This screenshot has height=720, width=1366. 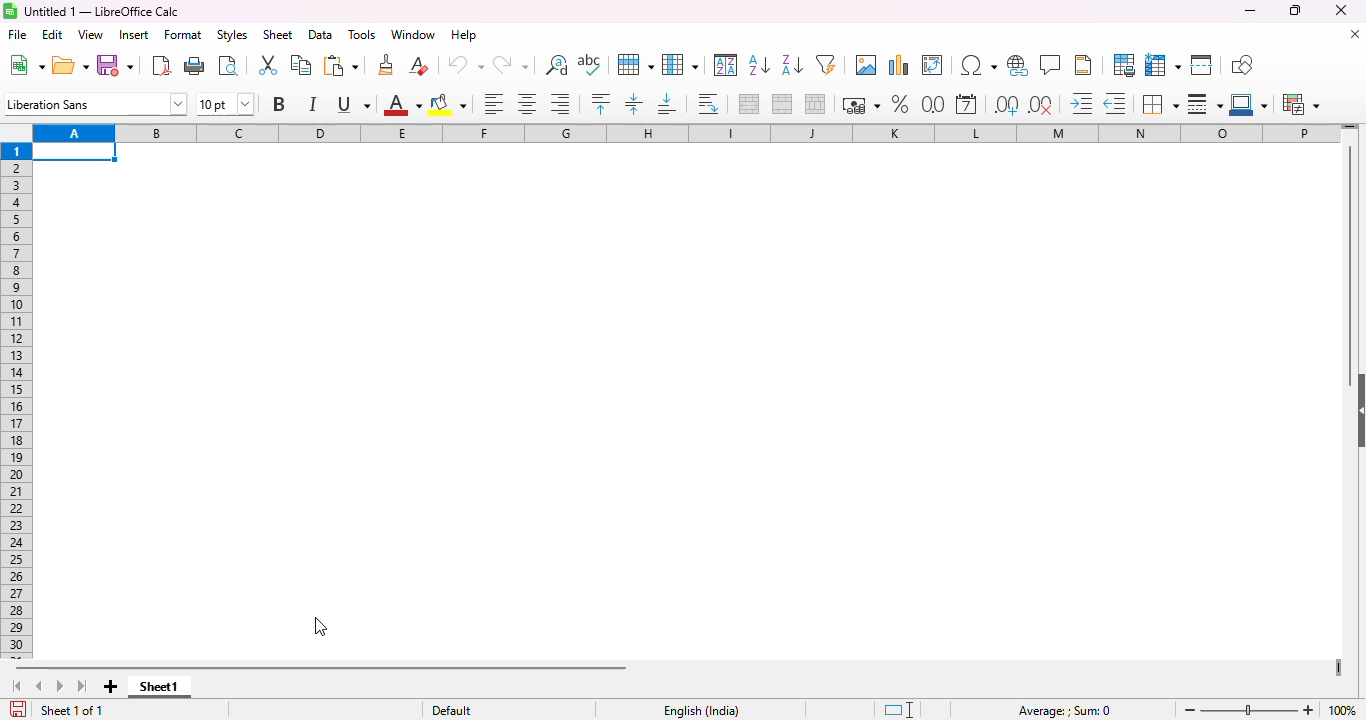 What do you see at coordinates (527, 104) in the screenshot?
I see `align center` at bounding box center [527, 104].